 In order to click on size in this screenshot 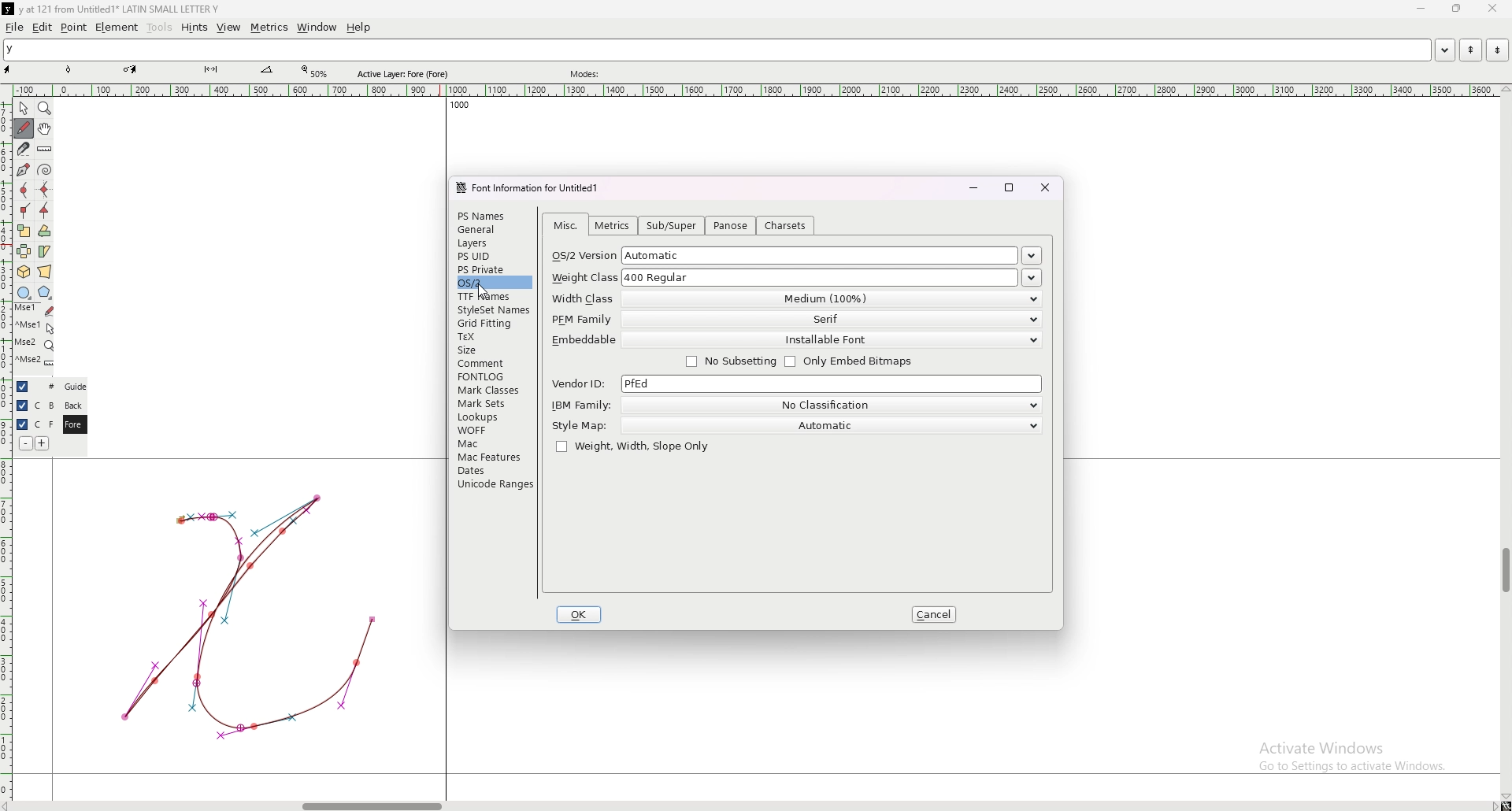, I will do `click(494, 350)`.